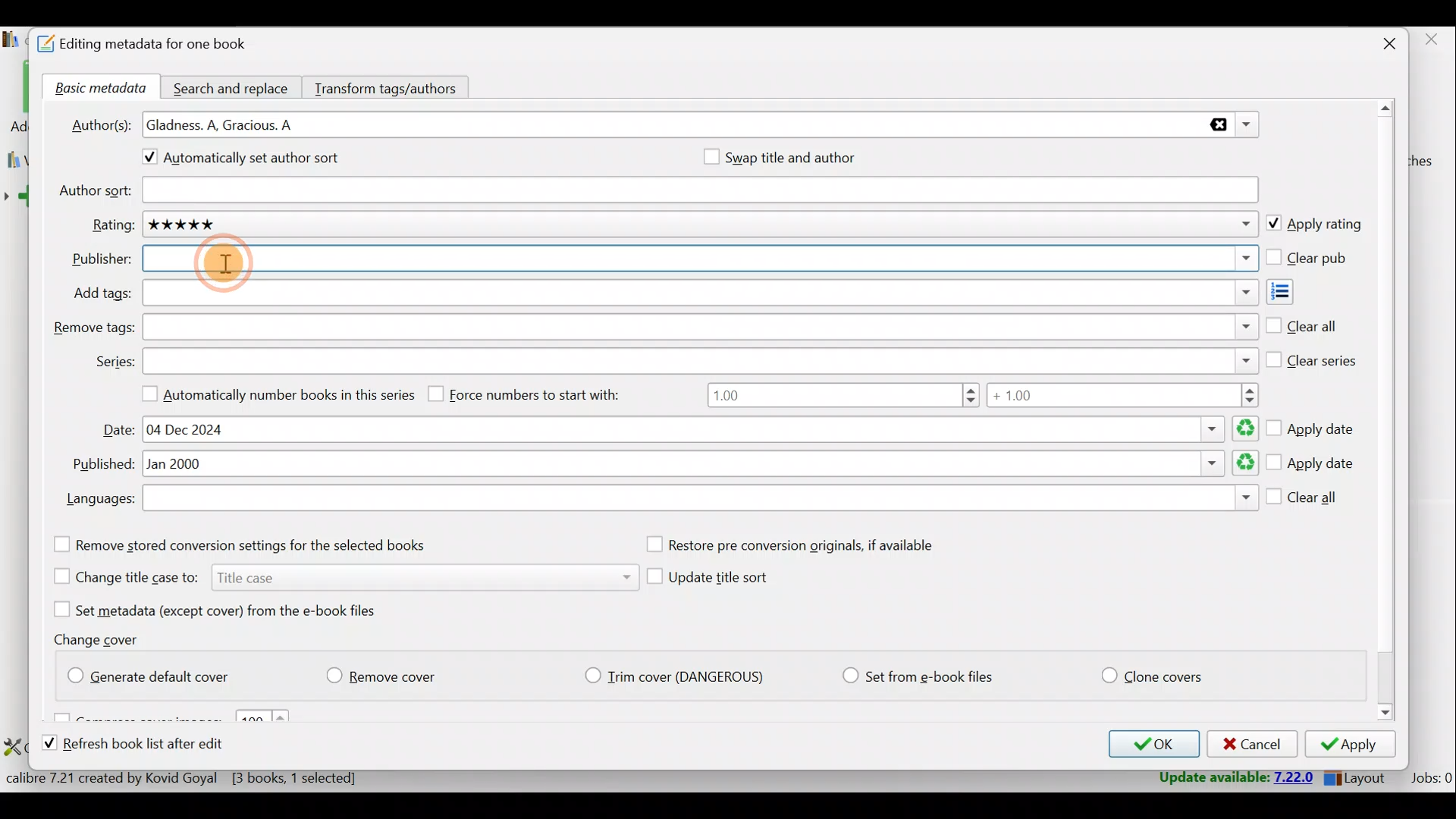 The height and width of the screenshot is (819, 1456). I want to click on Layout, so click(1358, 775).